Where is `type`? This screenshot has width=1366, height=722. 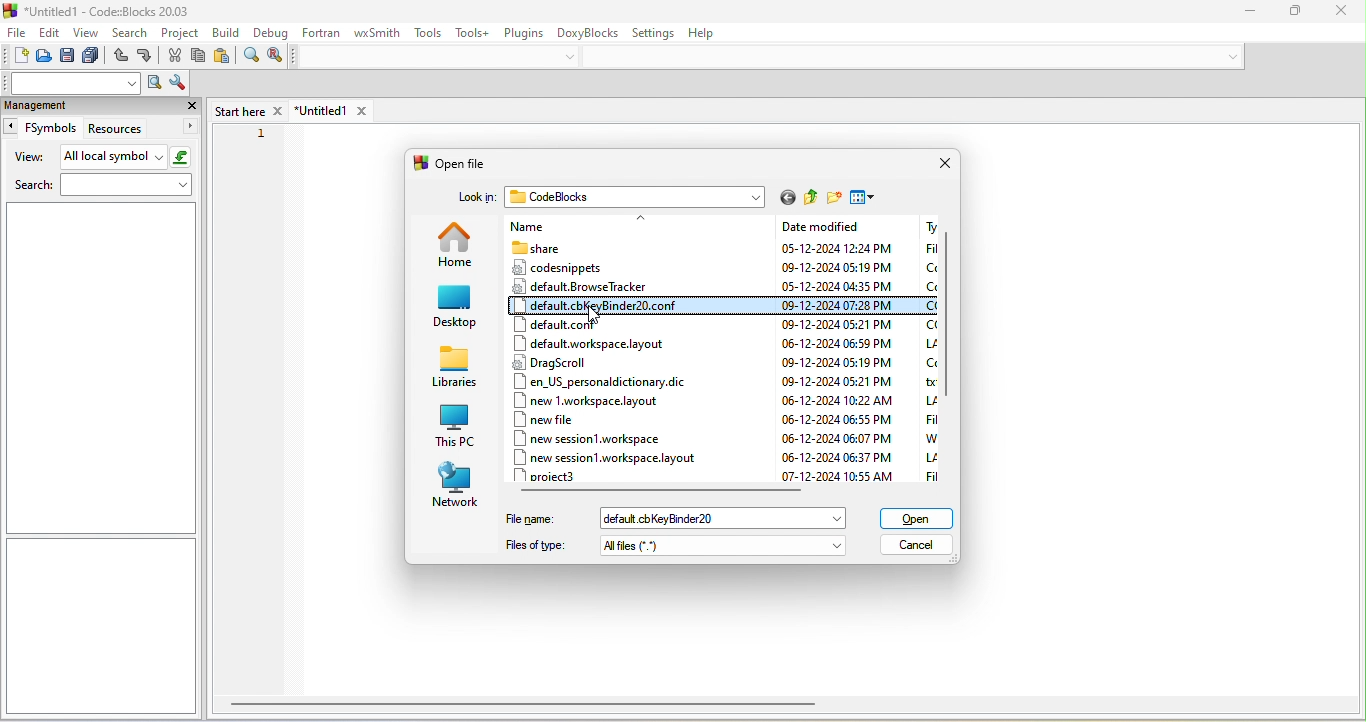 type is located at coordinates (925, 349).